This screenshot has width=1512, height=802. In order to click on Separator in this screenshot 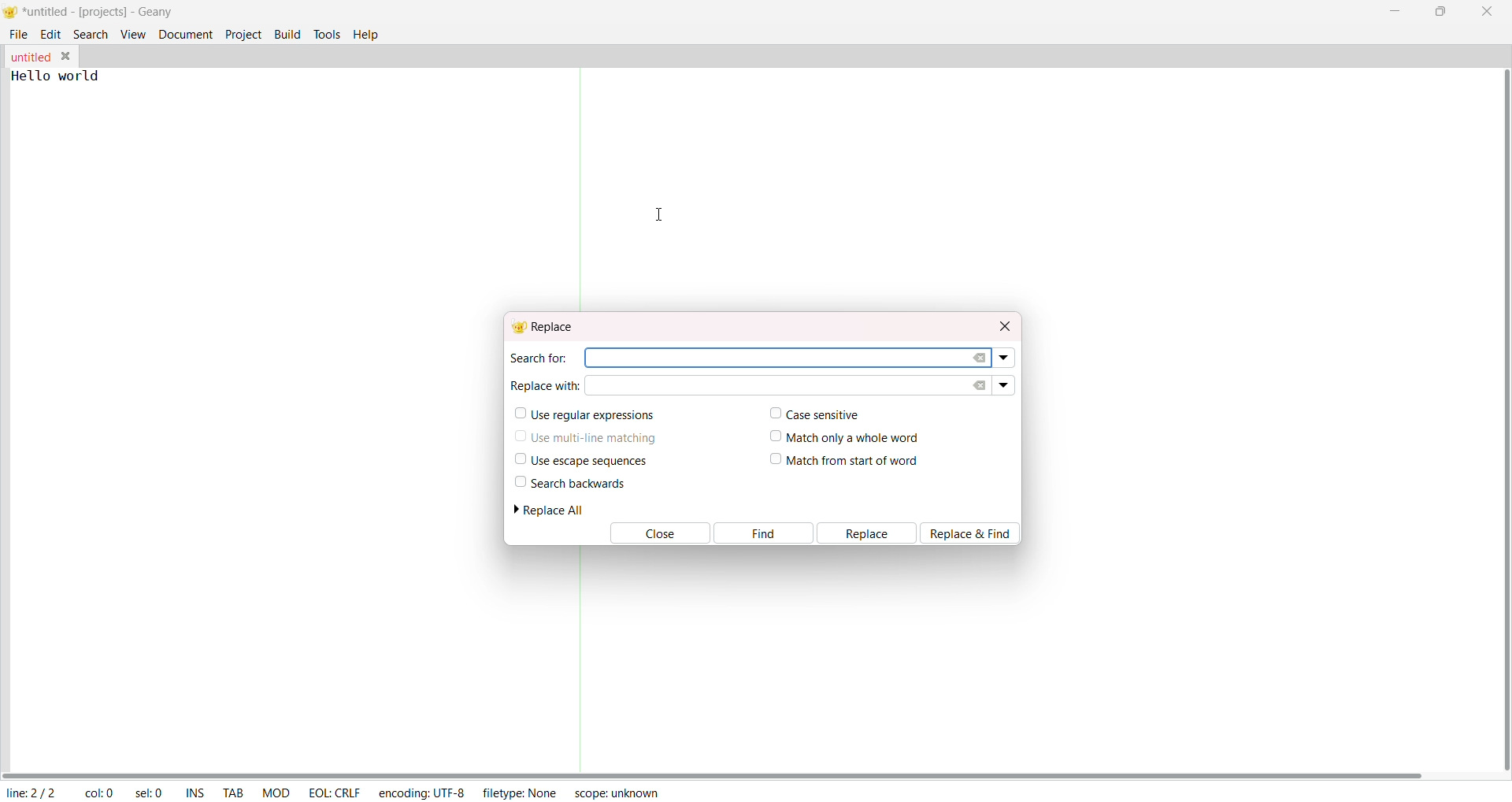, I will do `click(583, 190)`.